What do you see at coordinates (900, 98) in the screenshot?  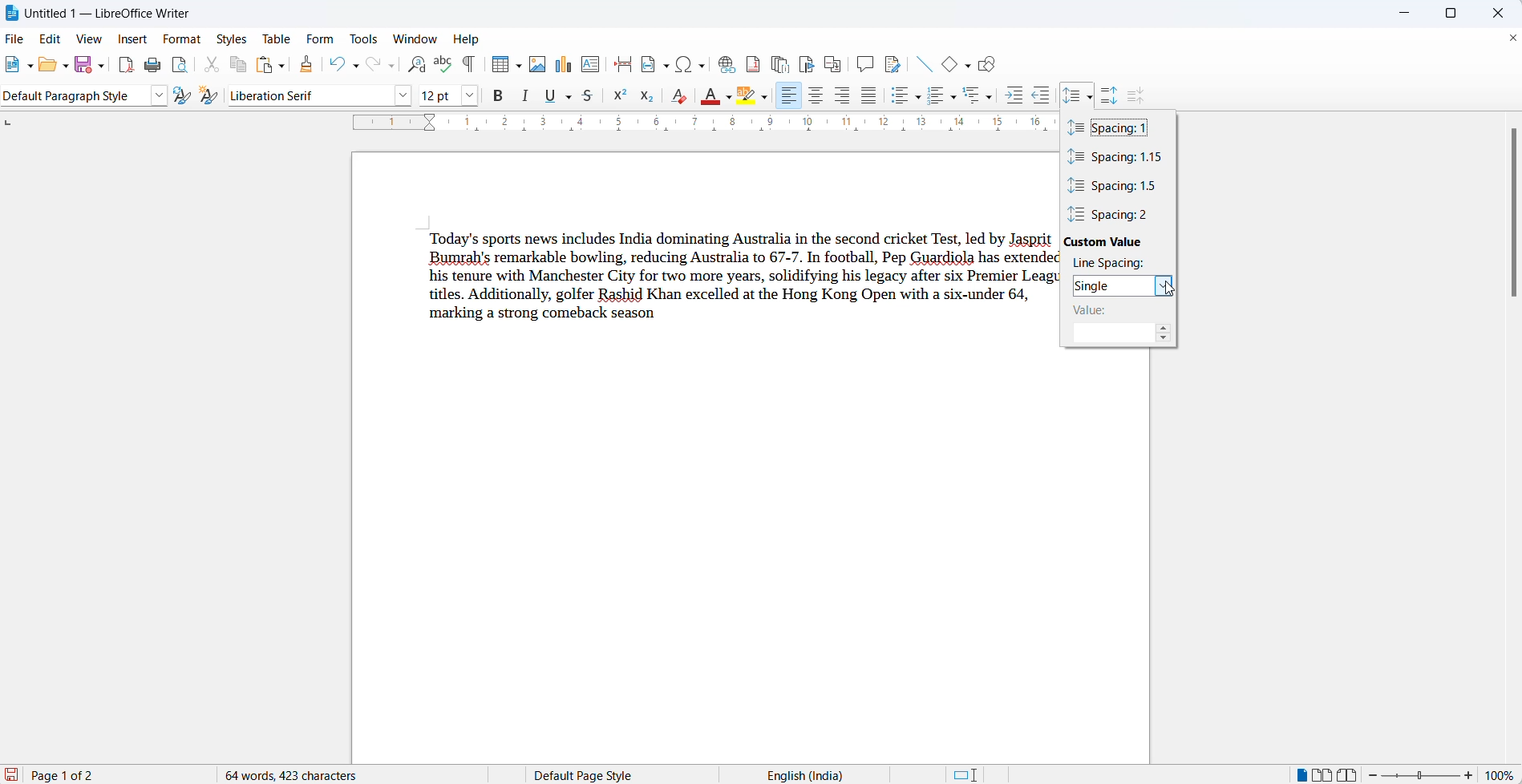 I see `toggle unordered list` at bounding box center [900, 98].